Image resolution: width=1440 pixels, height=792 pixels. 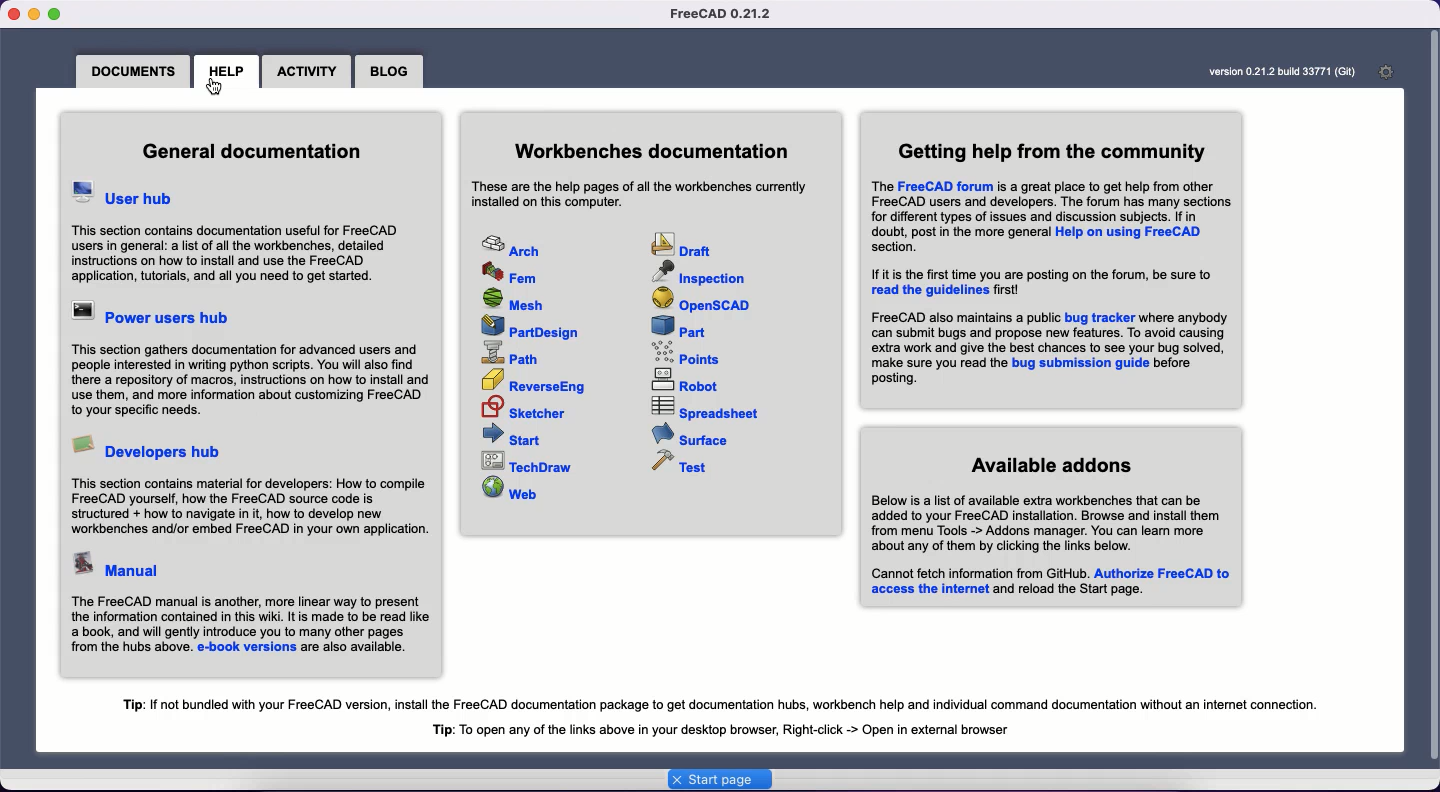 What do you see at coordinates (249, 605) in the screenshot?
I see `Manual` at bounding box center [249, 605].